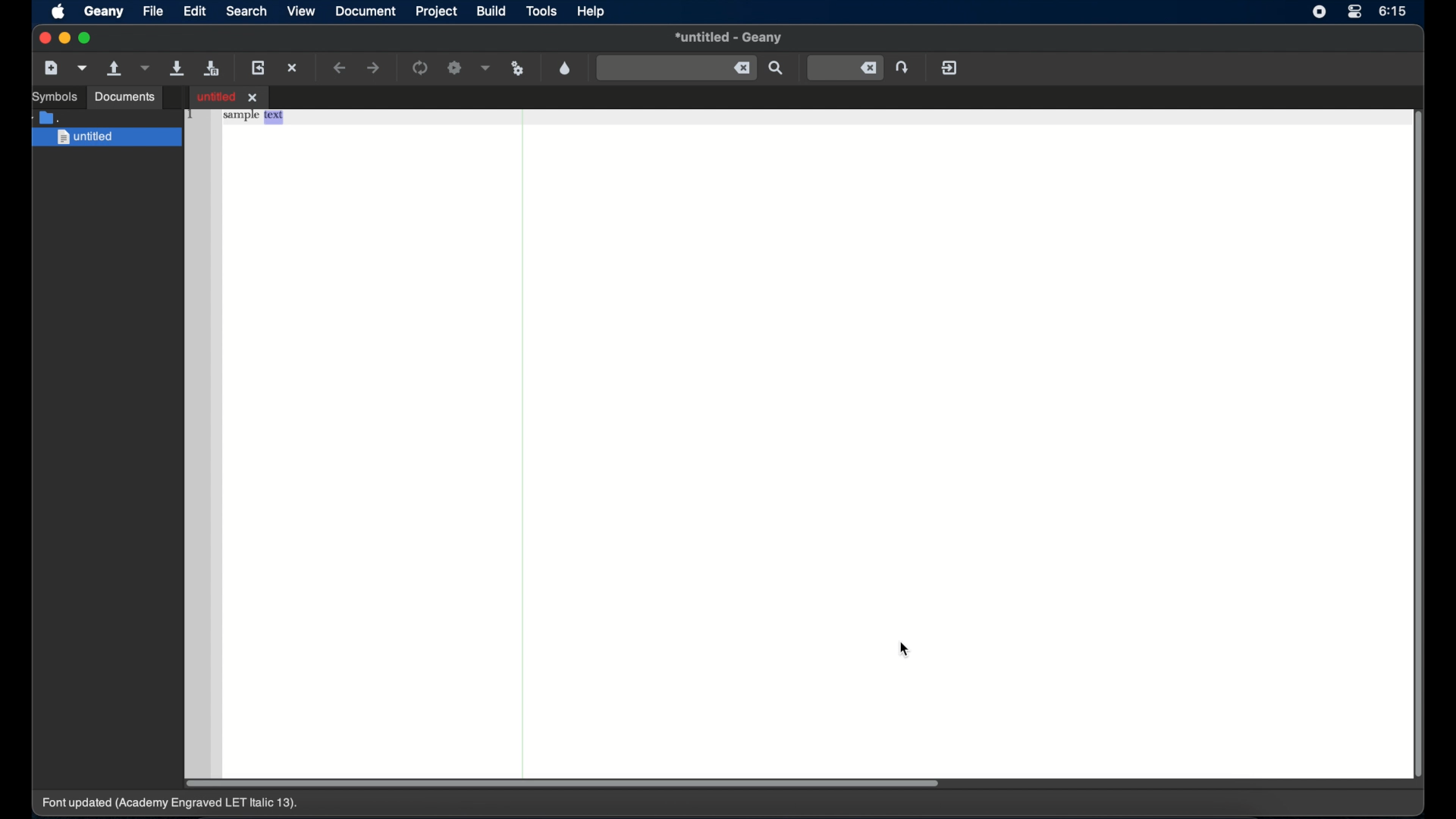 The width and height of the screenshot is (1456, 819). I want to click on jump to entered line number, so click(905, 67).